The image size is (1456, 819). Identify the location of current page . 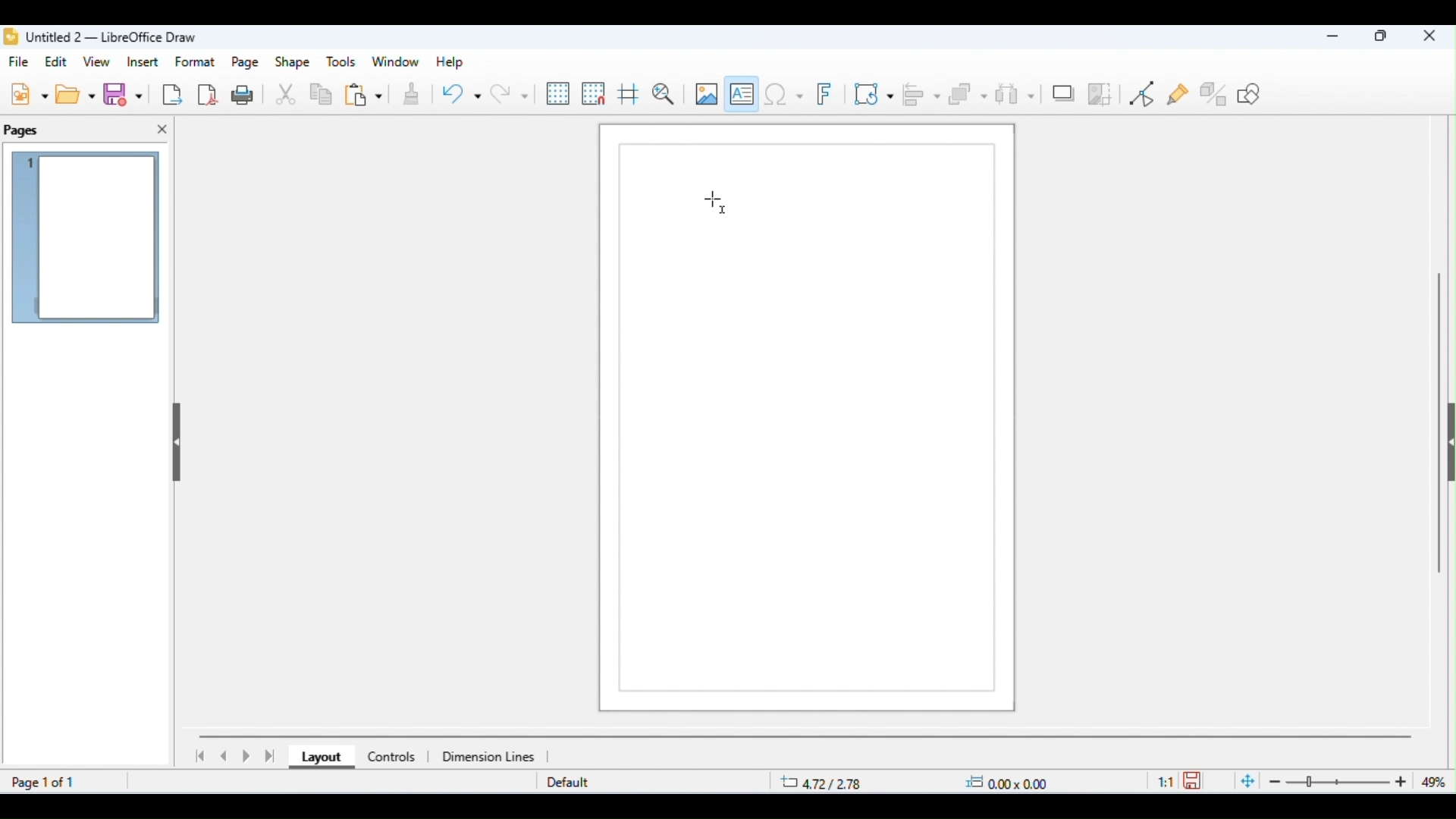
(87, 240).